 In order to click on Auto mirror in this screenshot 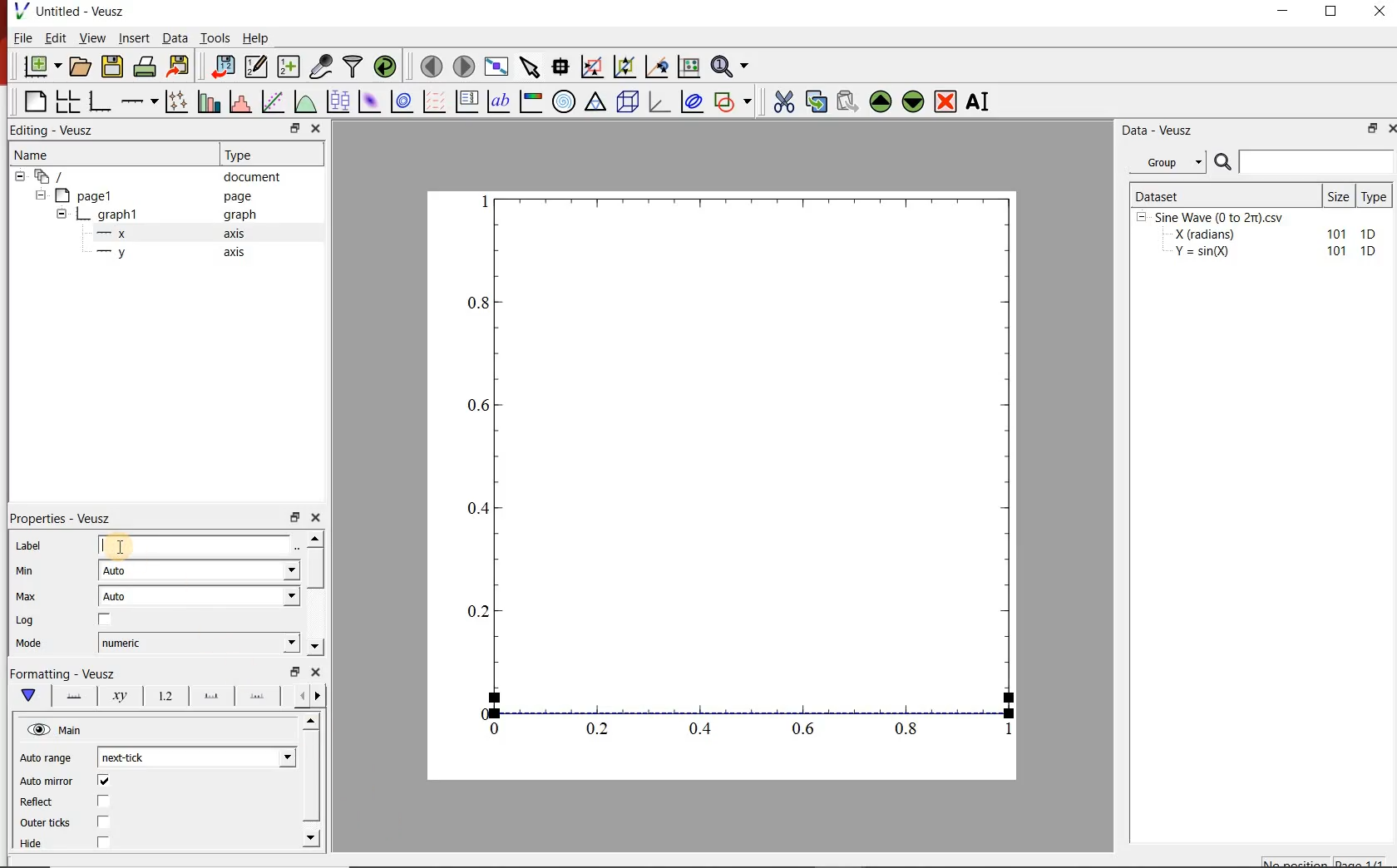, I will do `click(47, 782)`.